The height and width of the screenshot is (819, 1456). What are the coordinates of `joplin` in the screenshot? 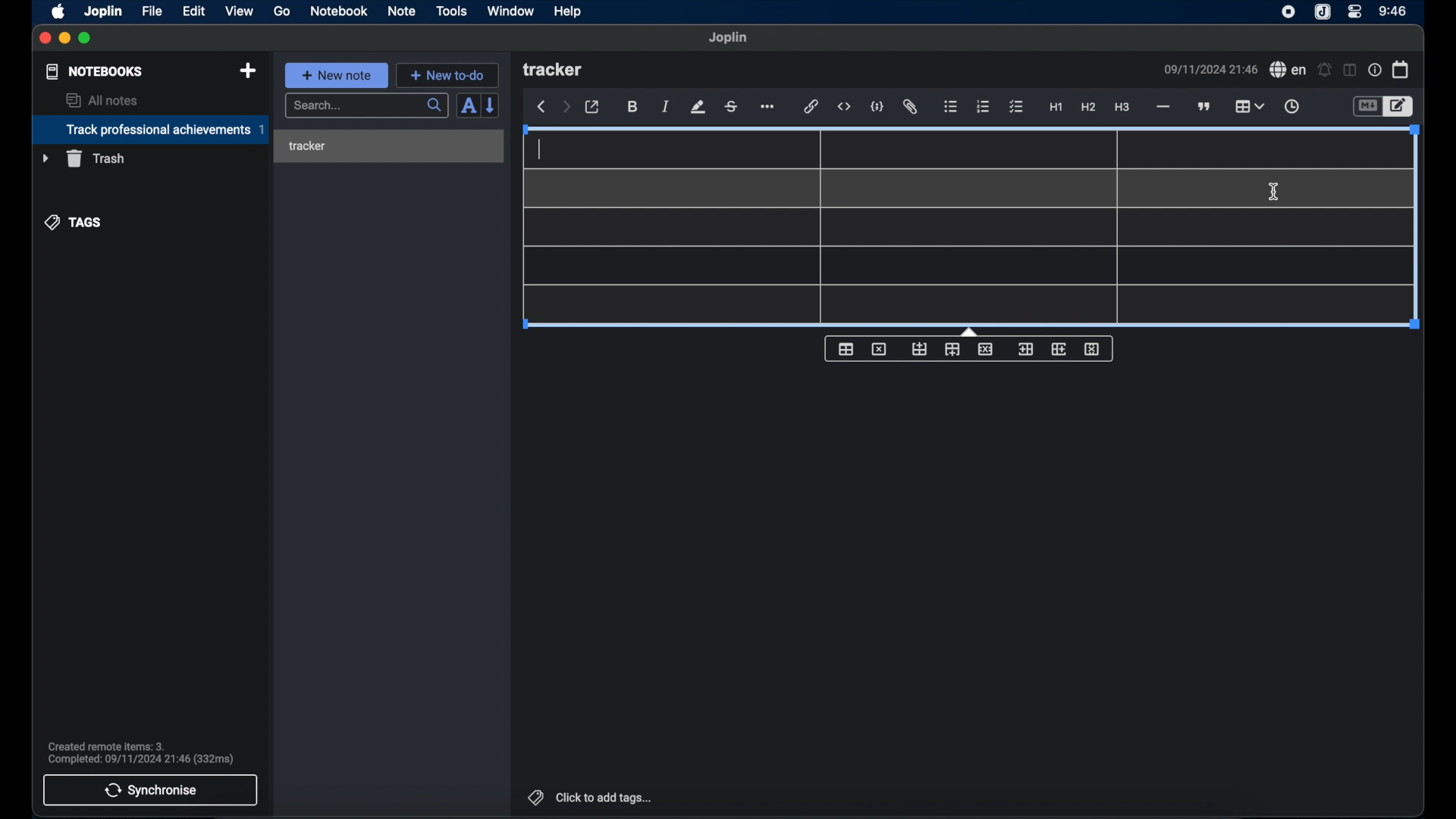 It's located at (729, 38).